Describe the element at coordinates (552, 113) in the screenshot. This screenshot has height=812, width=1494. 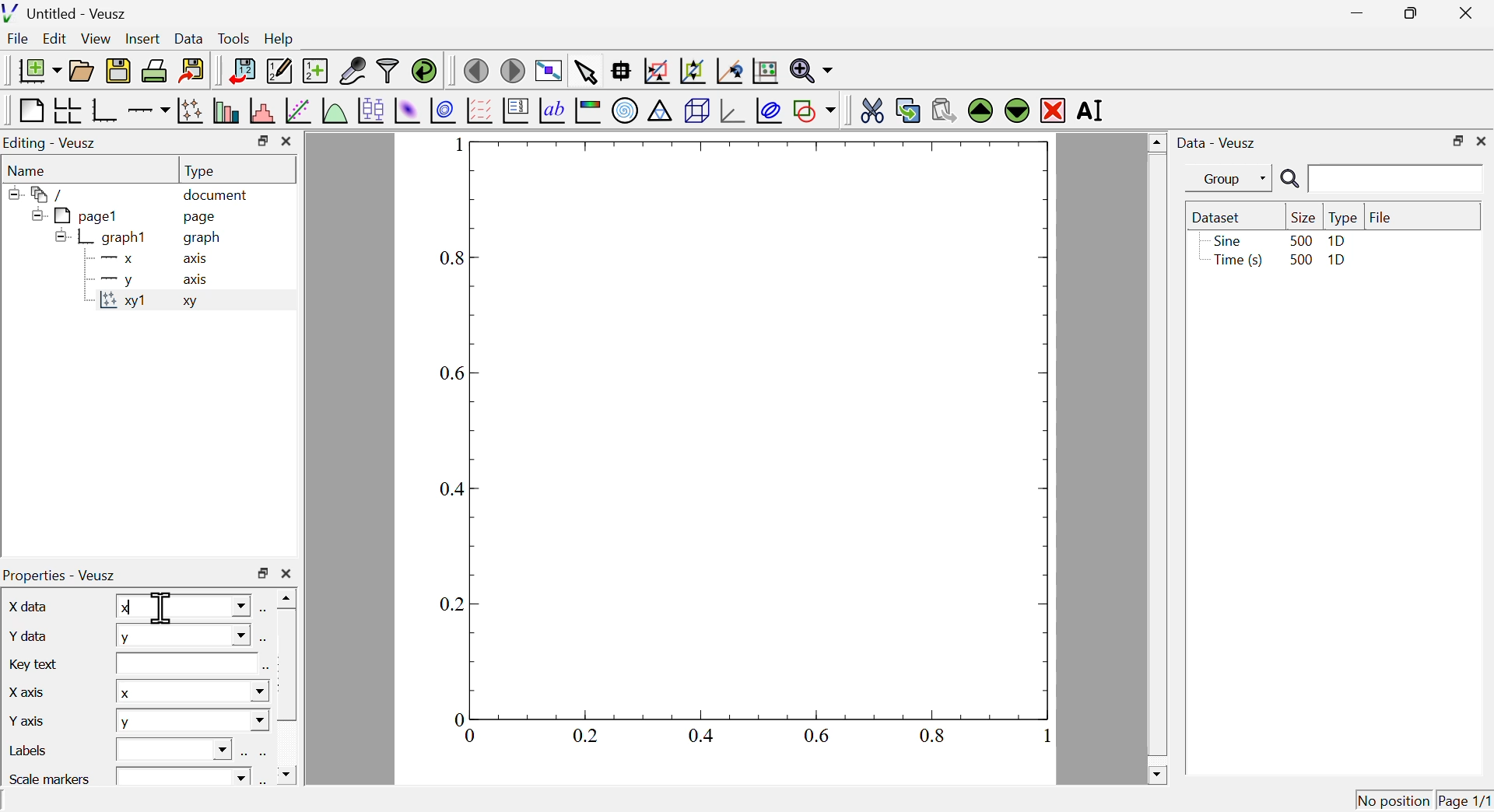
I see `text label` at that location.